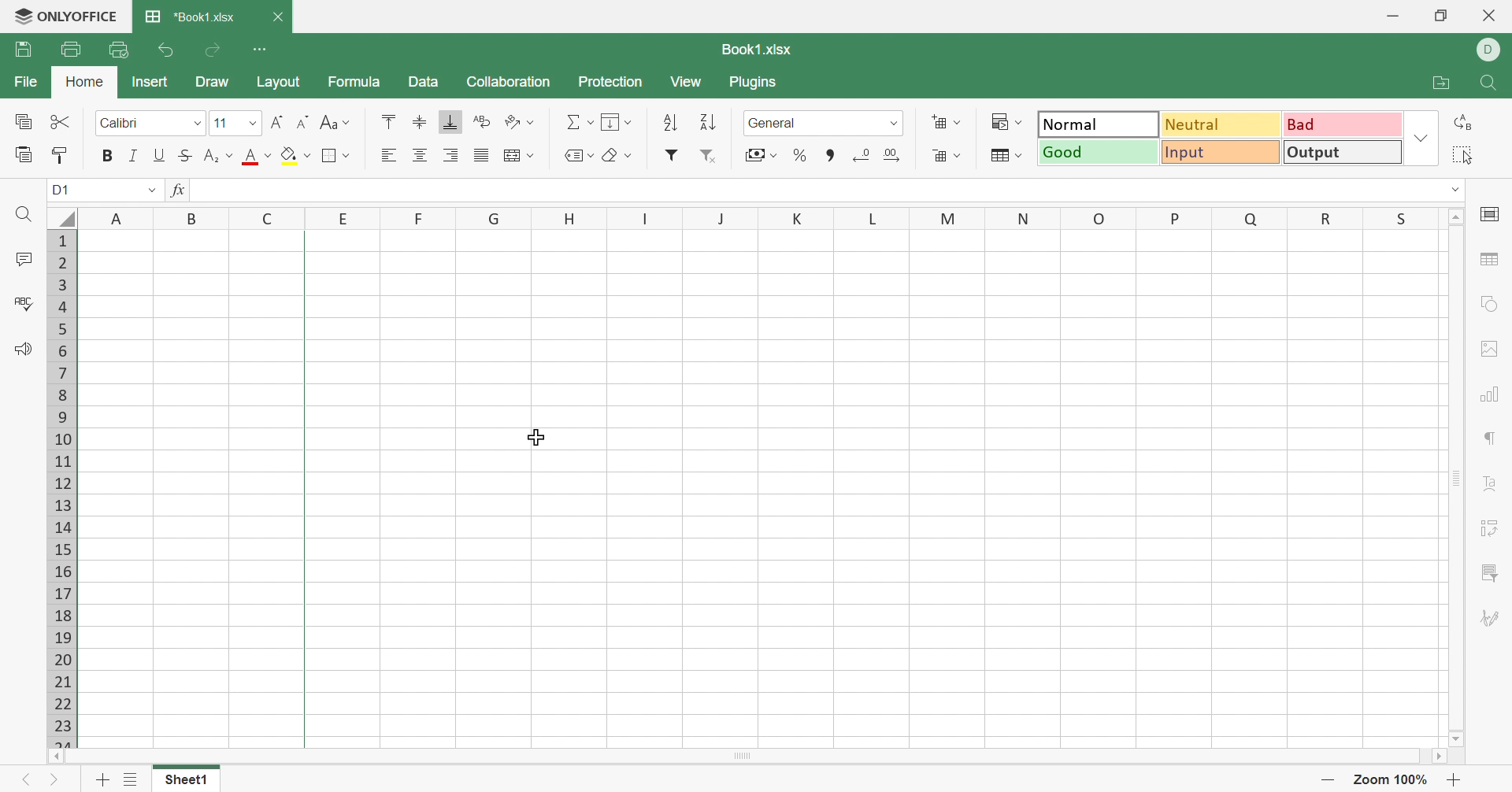 The image size is (1512, 792). What do you see at coordinates (1491, 18) in the screenshot?
I see `Close` at bounding box center [1491, 18].